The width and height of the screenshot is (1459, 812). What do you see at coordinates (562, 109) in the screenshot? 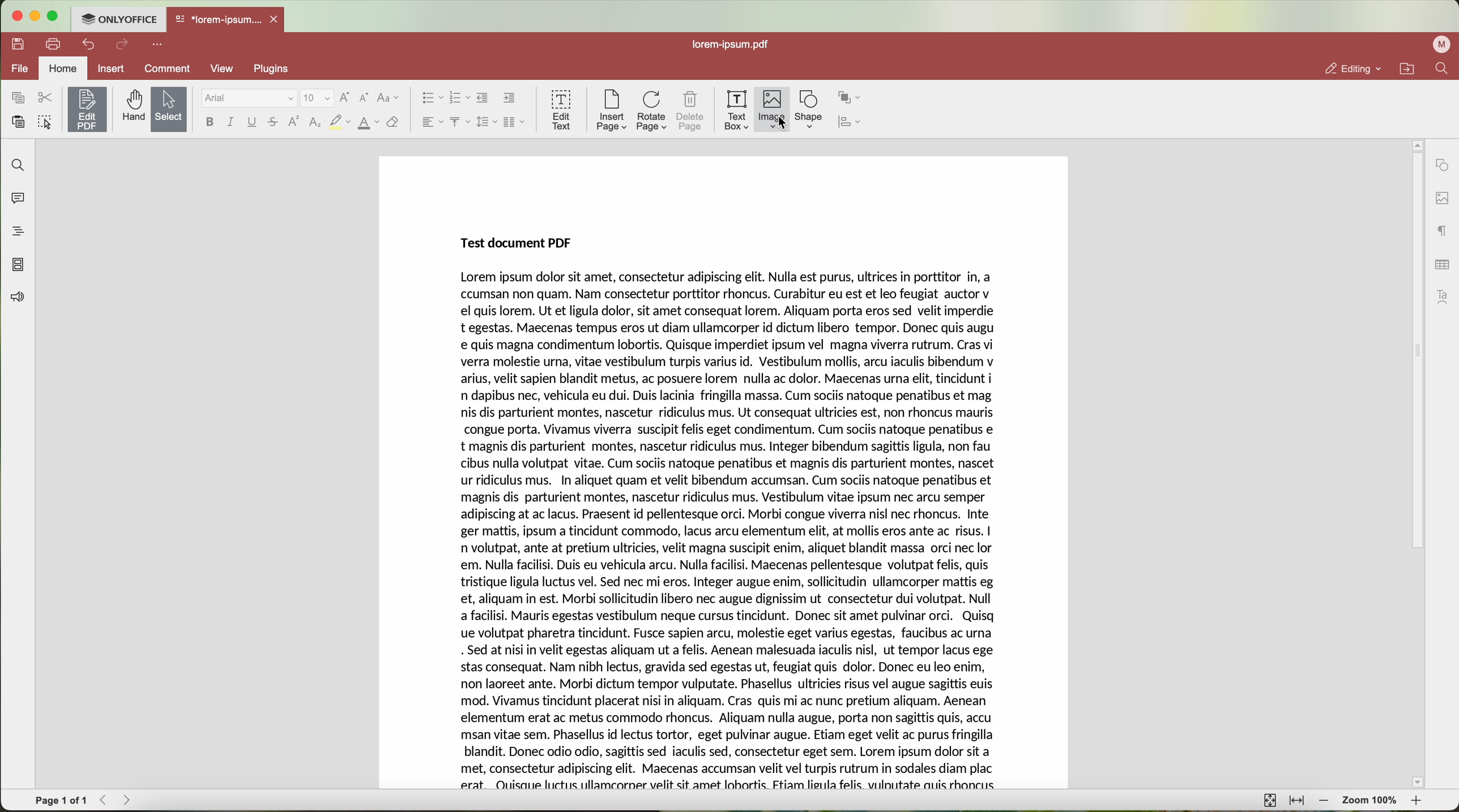
I see `edit text` at bounding box center [562, 109].